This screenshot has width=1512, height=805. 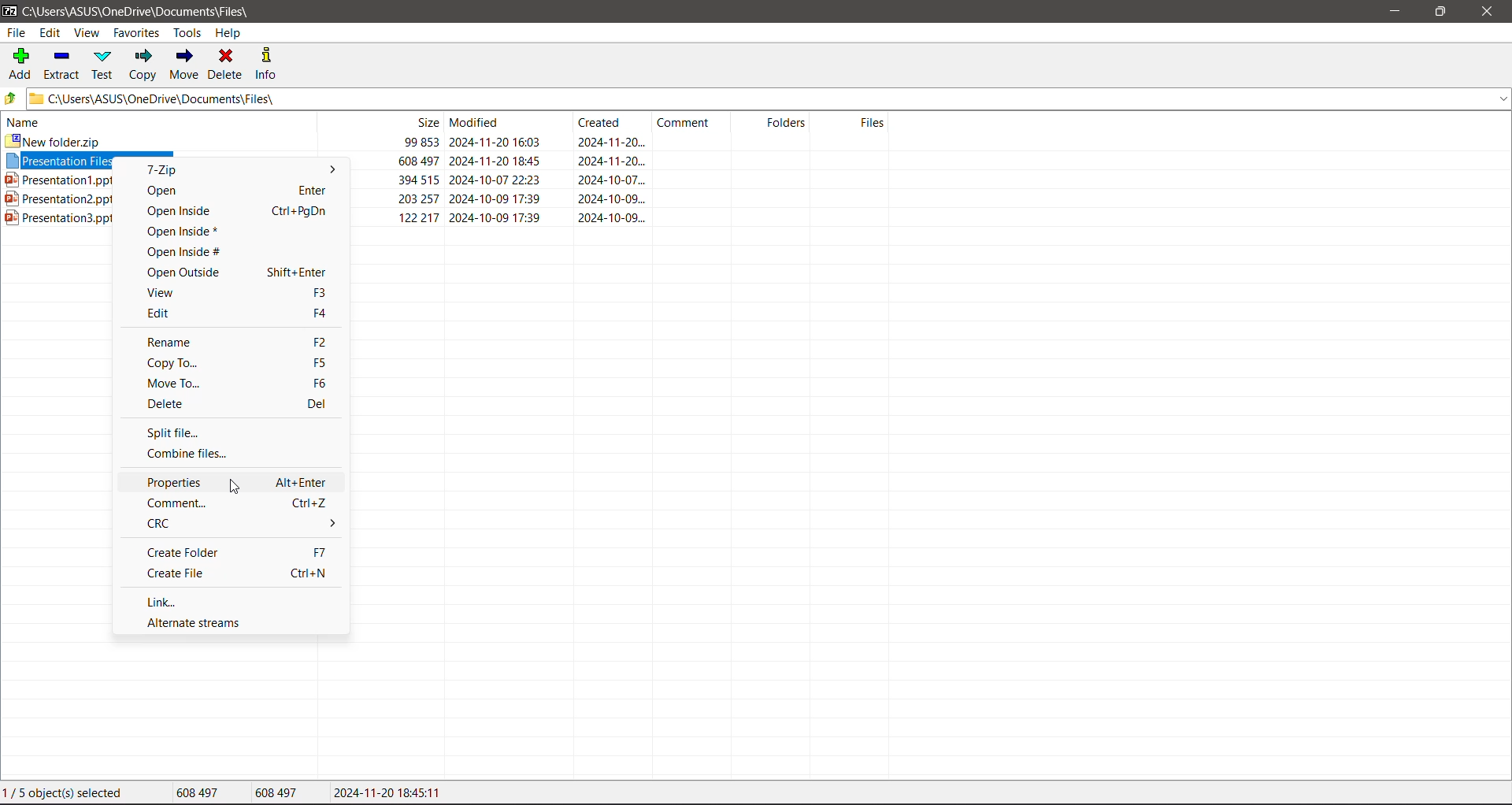 What do you see at coordinates (187, 232) in the screenshot?
I see `Open Inside*` at bounding box center [187, 232].